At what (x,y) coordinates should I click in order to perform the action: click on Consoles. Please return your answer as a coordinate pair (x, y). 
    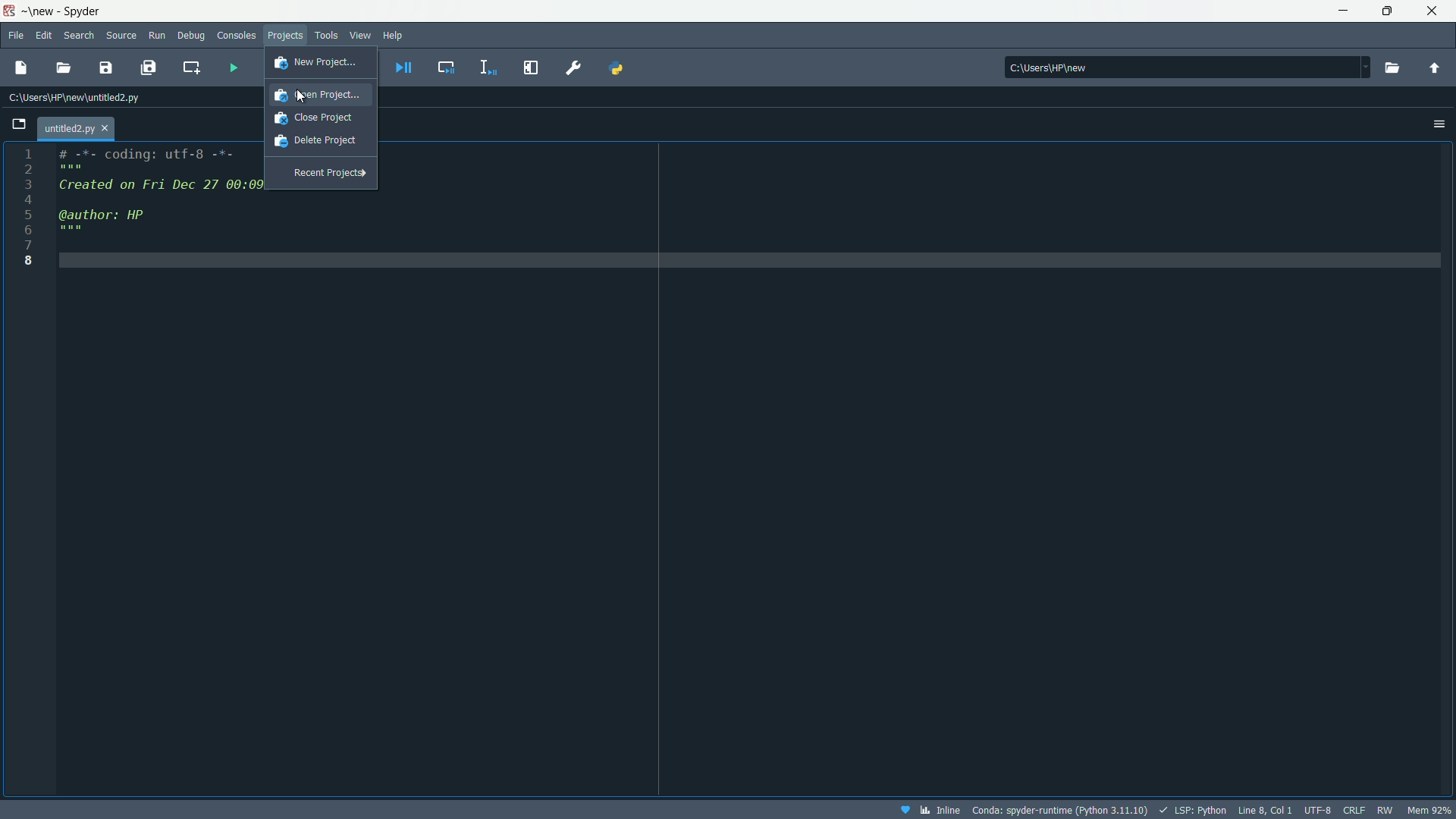
    Looking at the image, I should click on (235, 34).